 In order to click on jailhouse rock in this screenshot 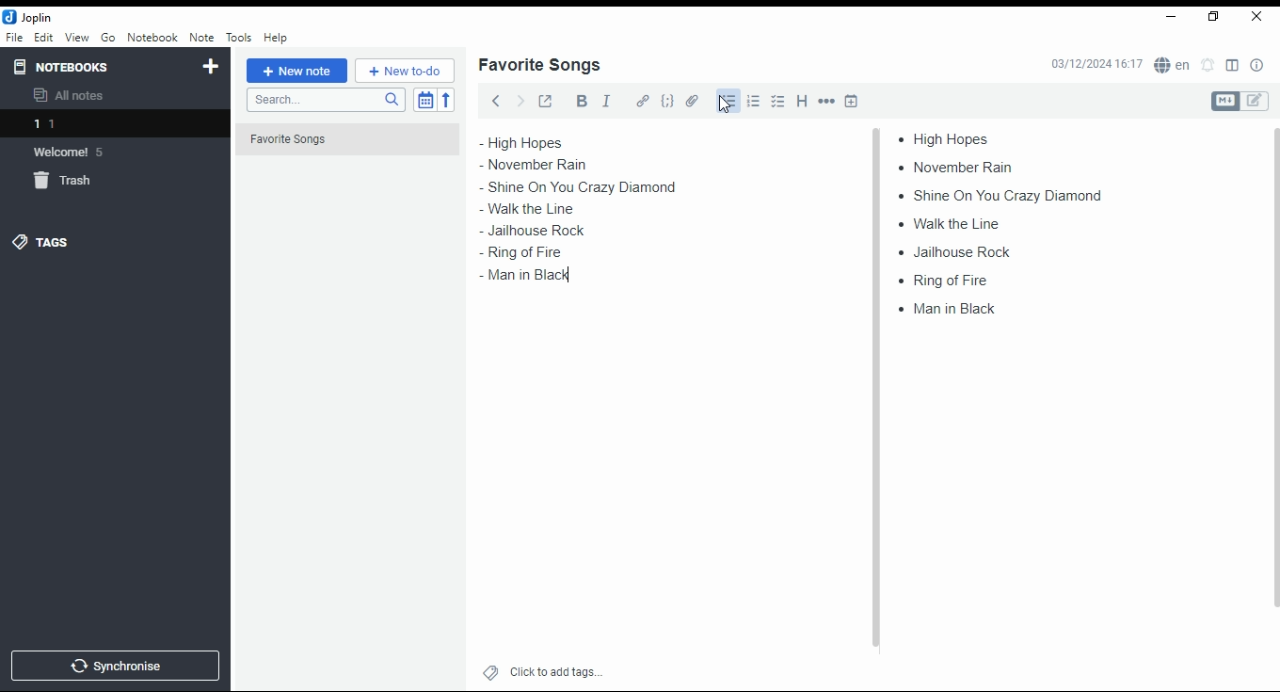, I will do `click(531, 231)`.